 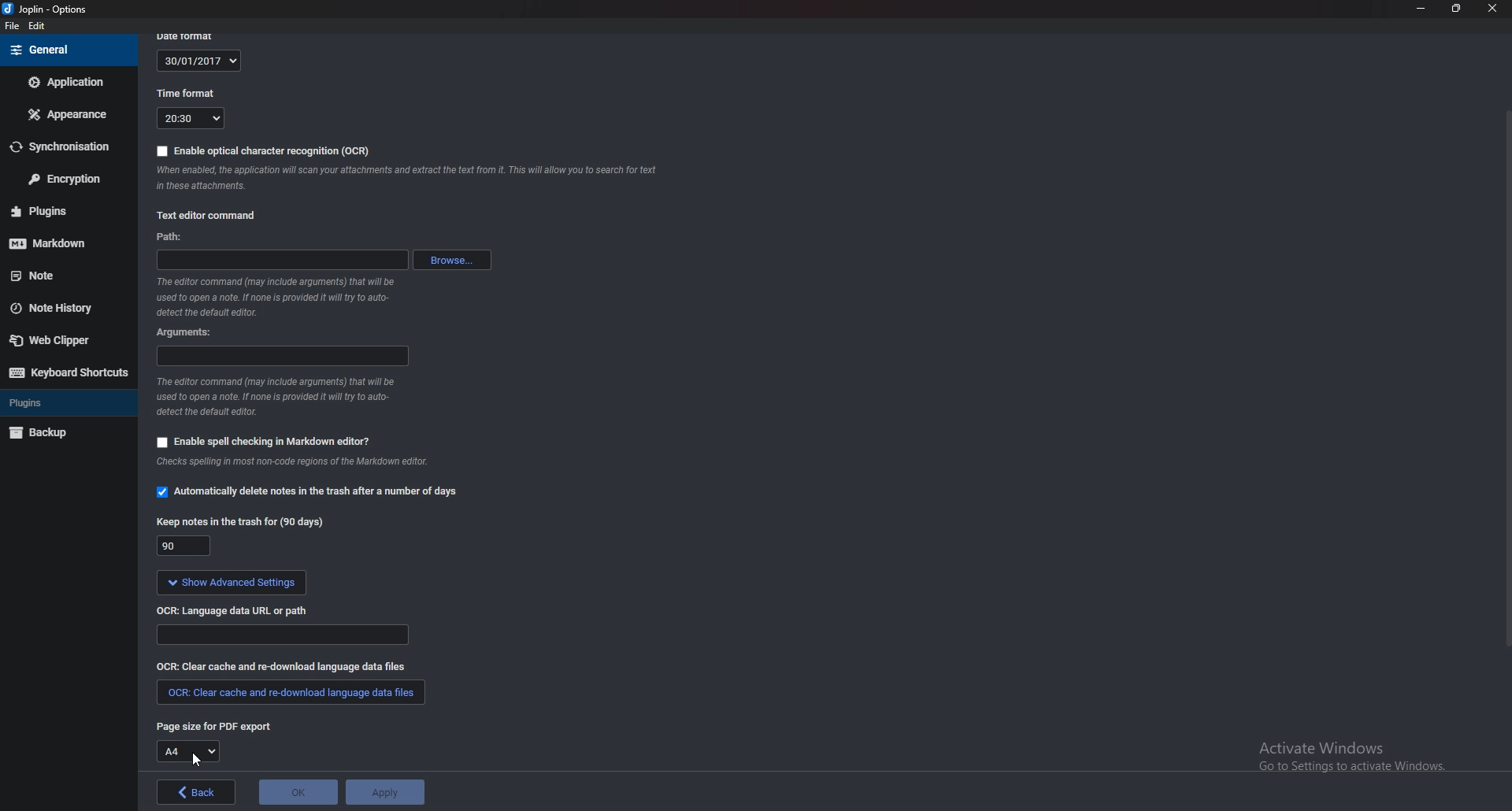 I want to click on date format, so click(x=190, y=34).